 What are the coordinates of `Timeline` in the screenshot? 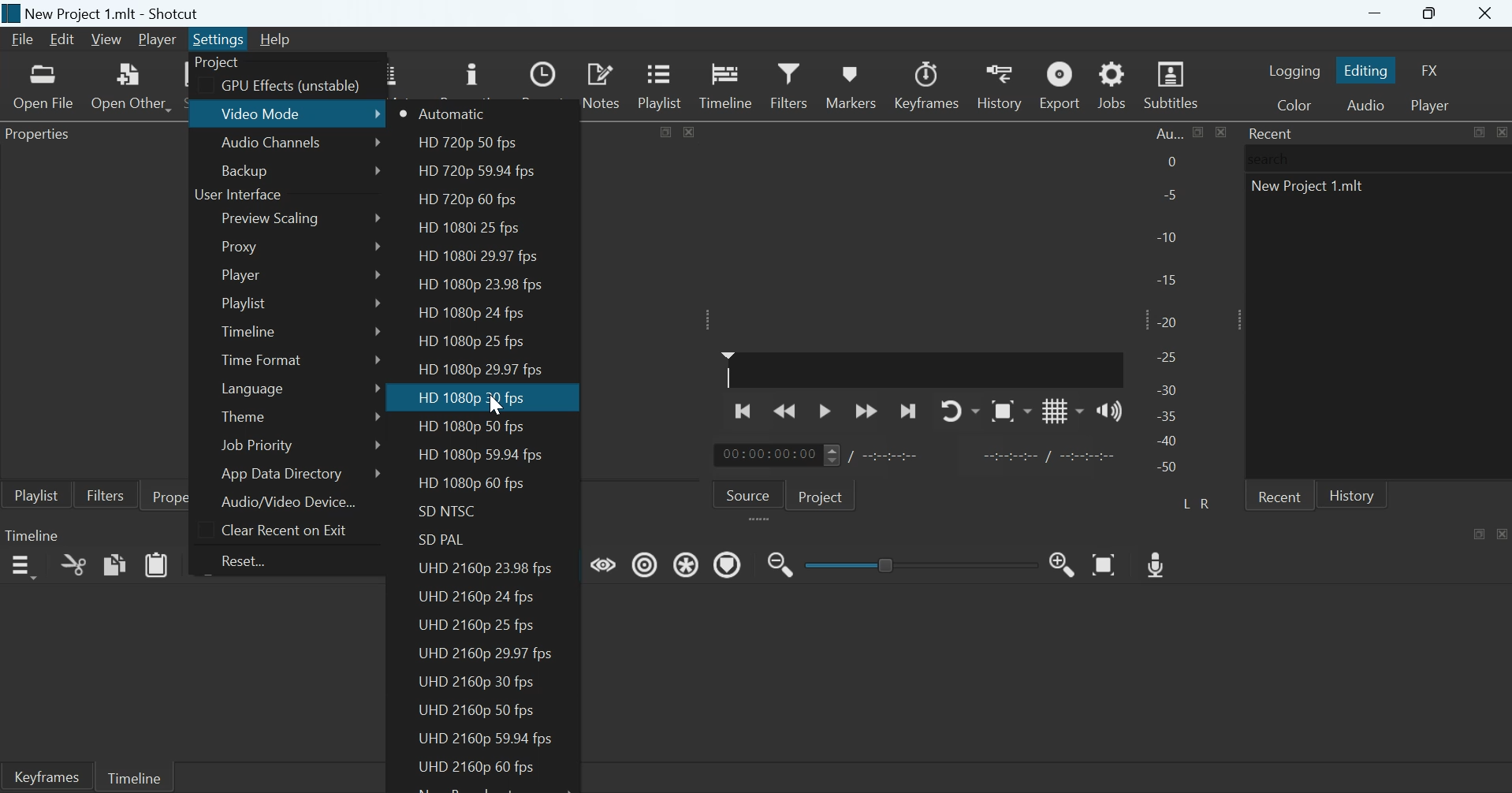 It's located at (133, 776).